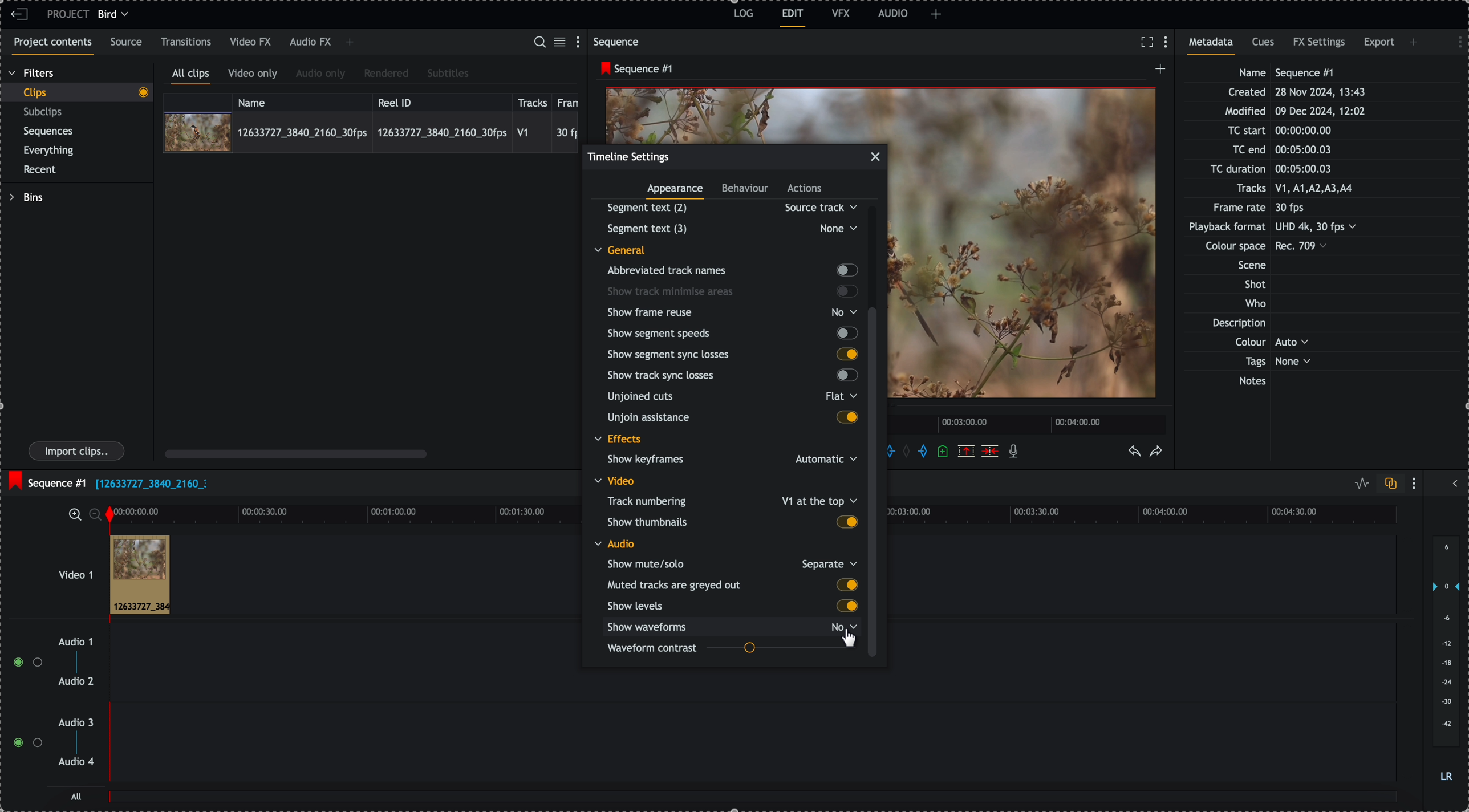 The image size is (1469, 812). What do you see at coordinates (140, 575) in the screenshot?
I see `clip` at bounding box center [140, 575].